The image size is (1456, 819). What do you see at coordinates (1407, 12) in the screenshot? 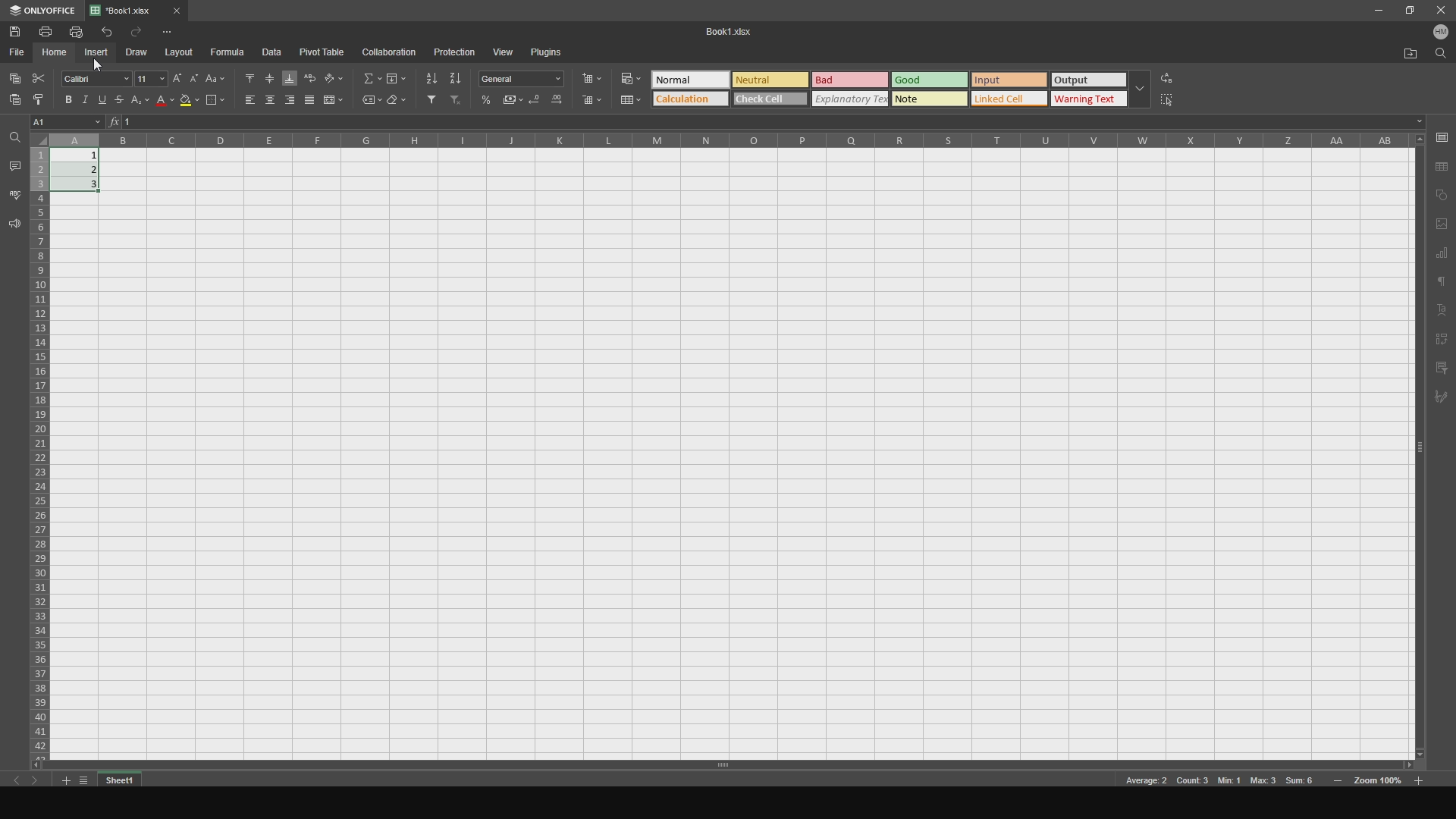
I see `maxiize` at bounding box center [1407, 12].